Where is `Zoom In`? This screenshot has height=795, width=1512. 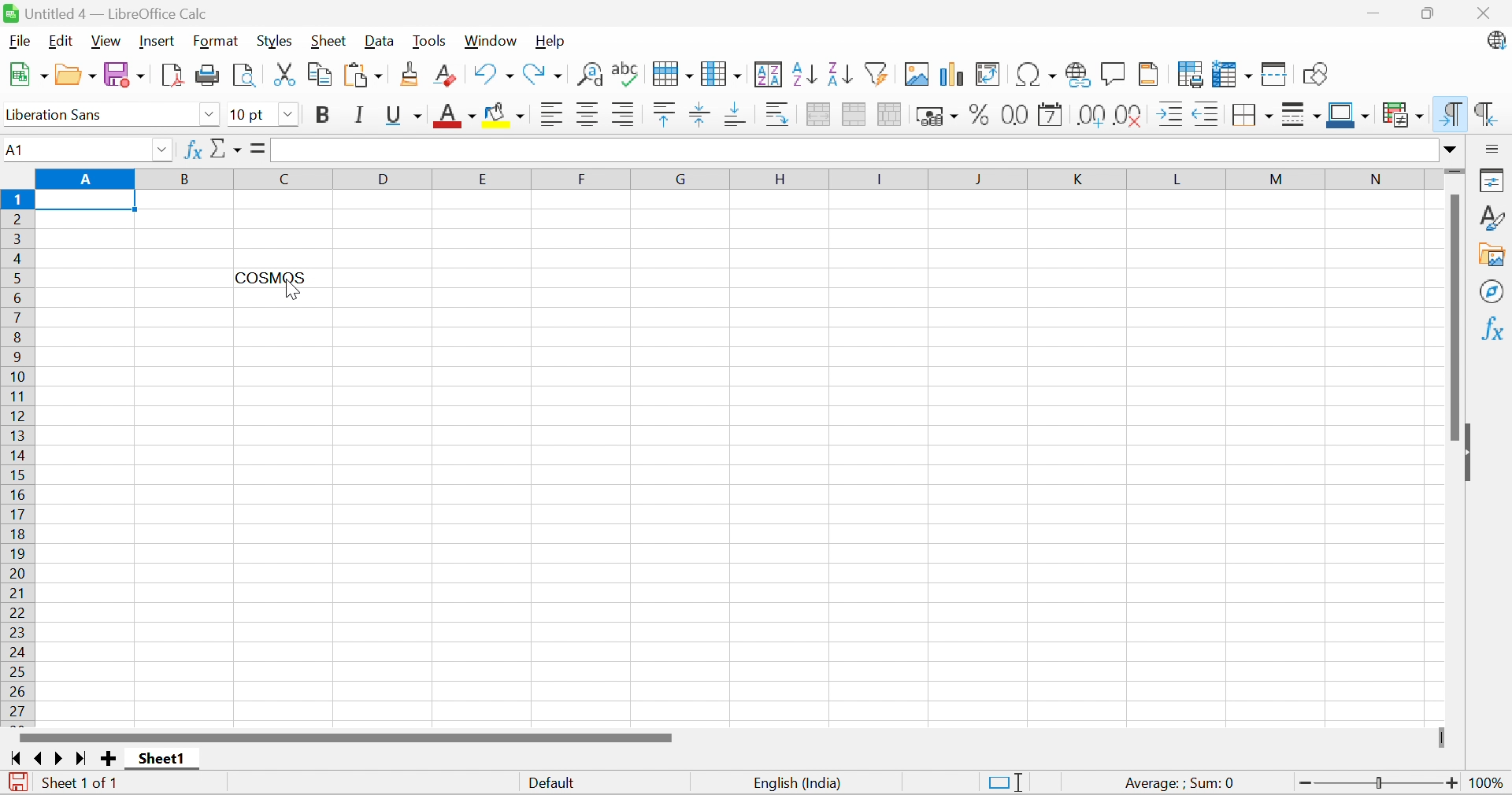 Zoom In is located at coordinates (1454, 782).